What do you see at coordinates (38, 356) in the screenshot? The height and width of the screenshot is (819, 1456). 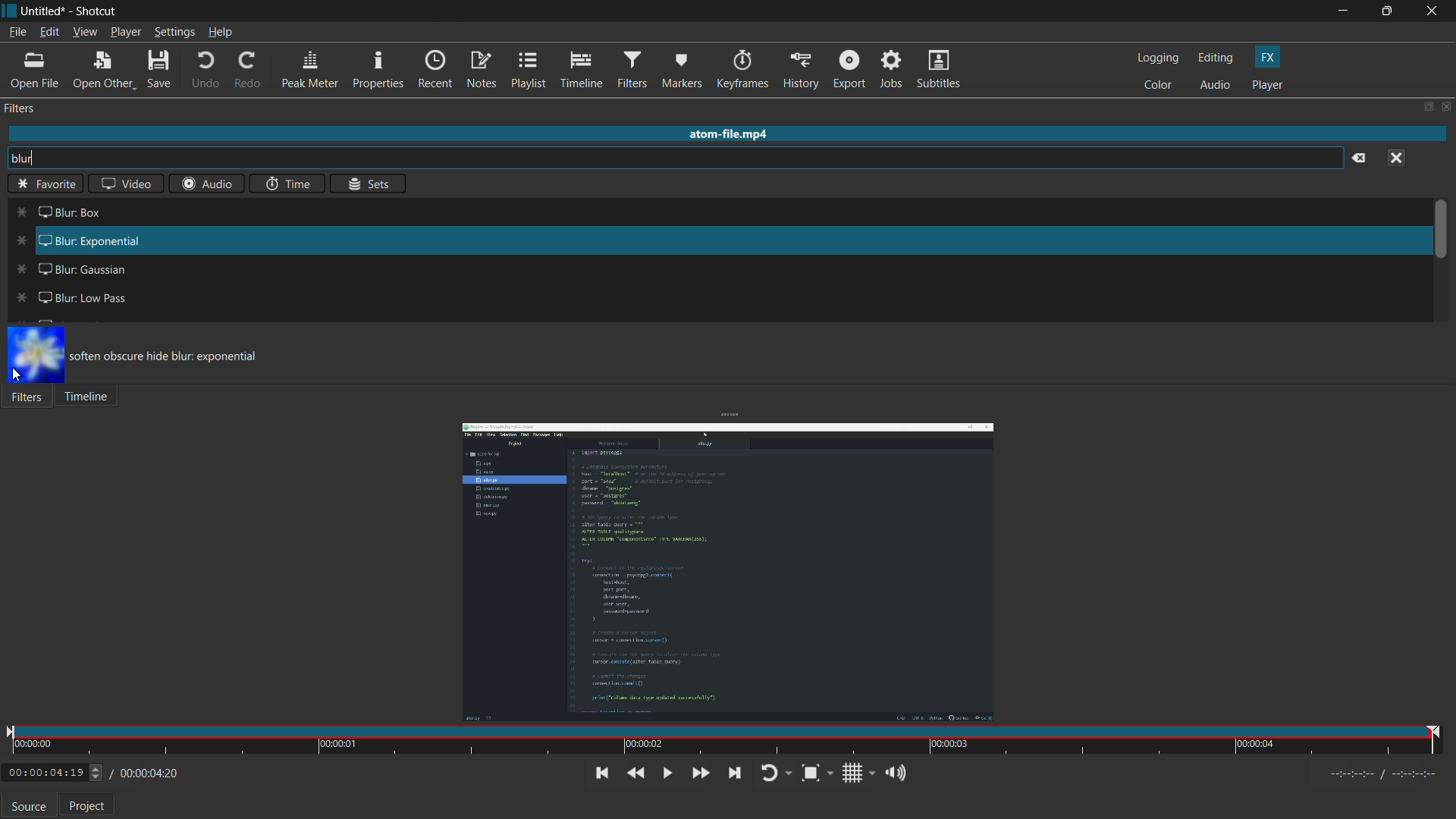 I see `preview image` at bounding box center [38, 356].